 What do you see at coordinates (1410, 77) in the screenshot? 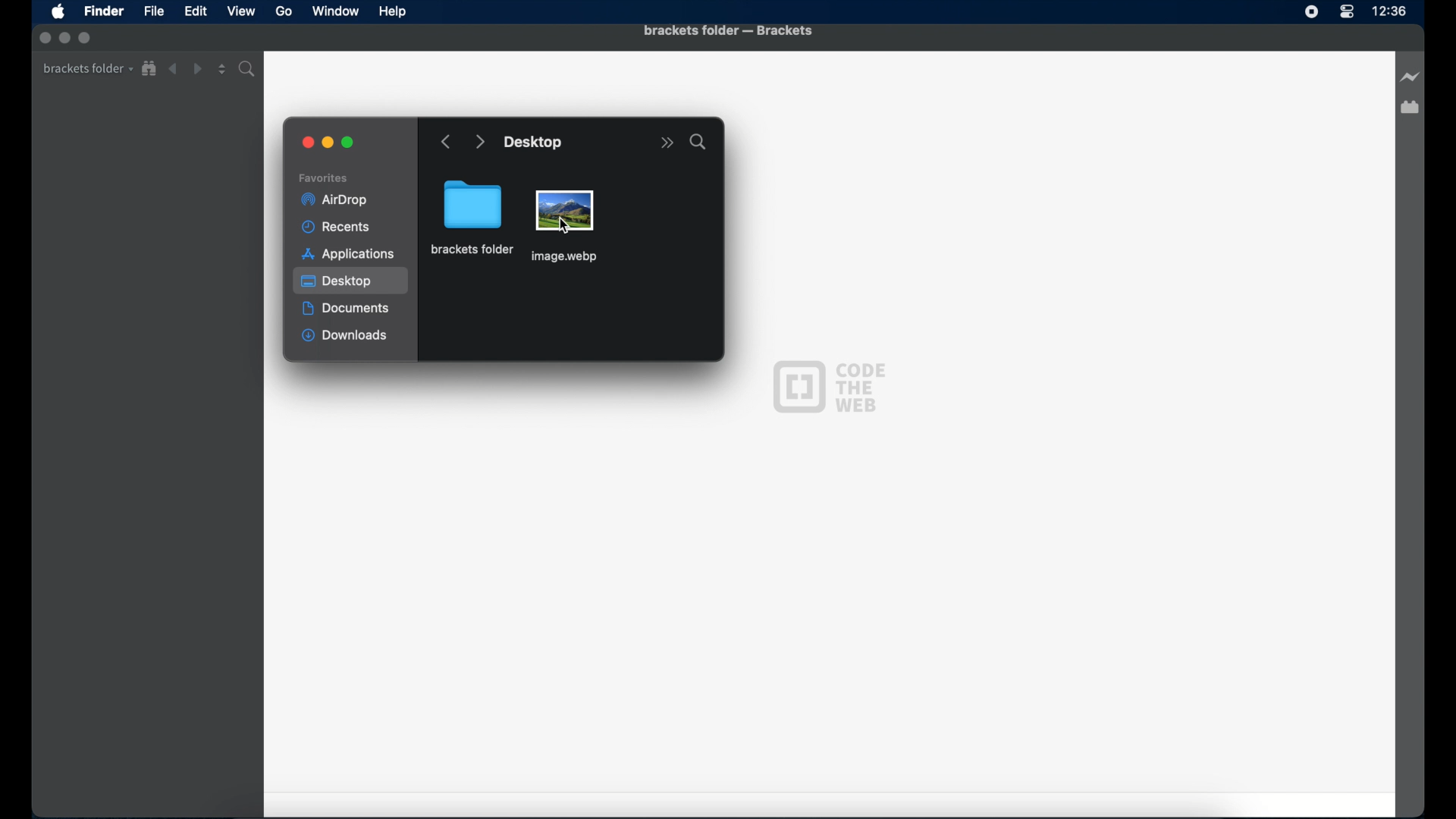
I see `live preview` at bounding box center [1410, 77].